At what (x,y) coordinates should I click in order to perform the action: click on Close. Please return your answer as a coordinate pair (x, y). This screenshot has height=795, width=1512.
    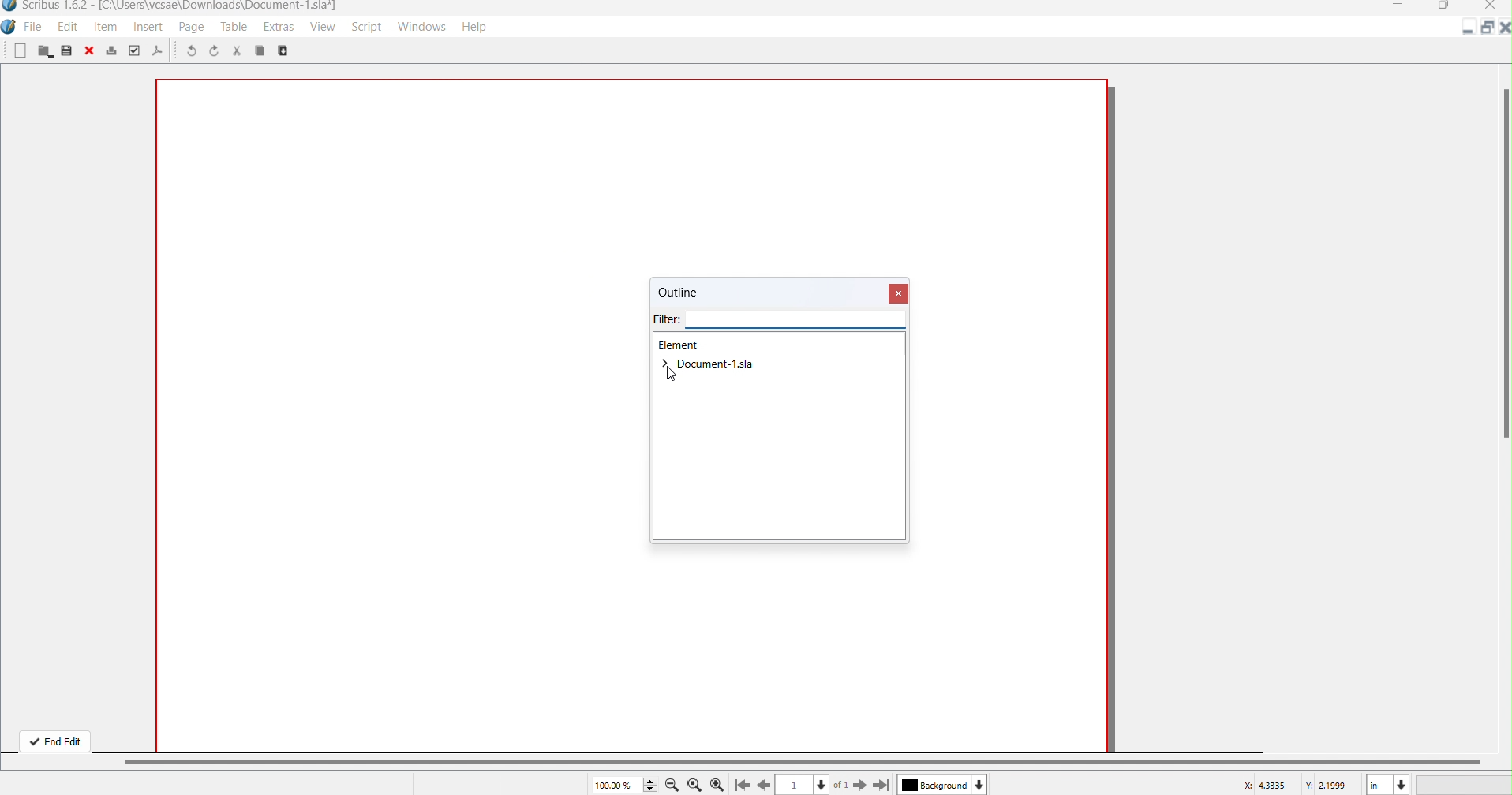
    Looking at the image, I should click on (1492, 7).